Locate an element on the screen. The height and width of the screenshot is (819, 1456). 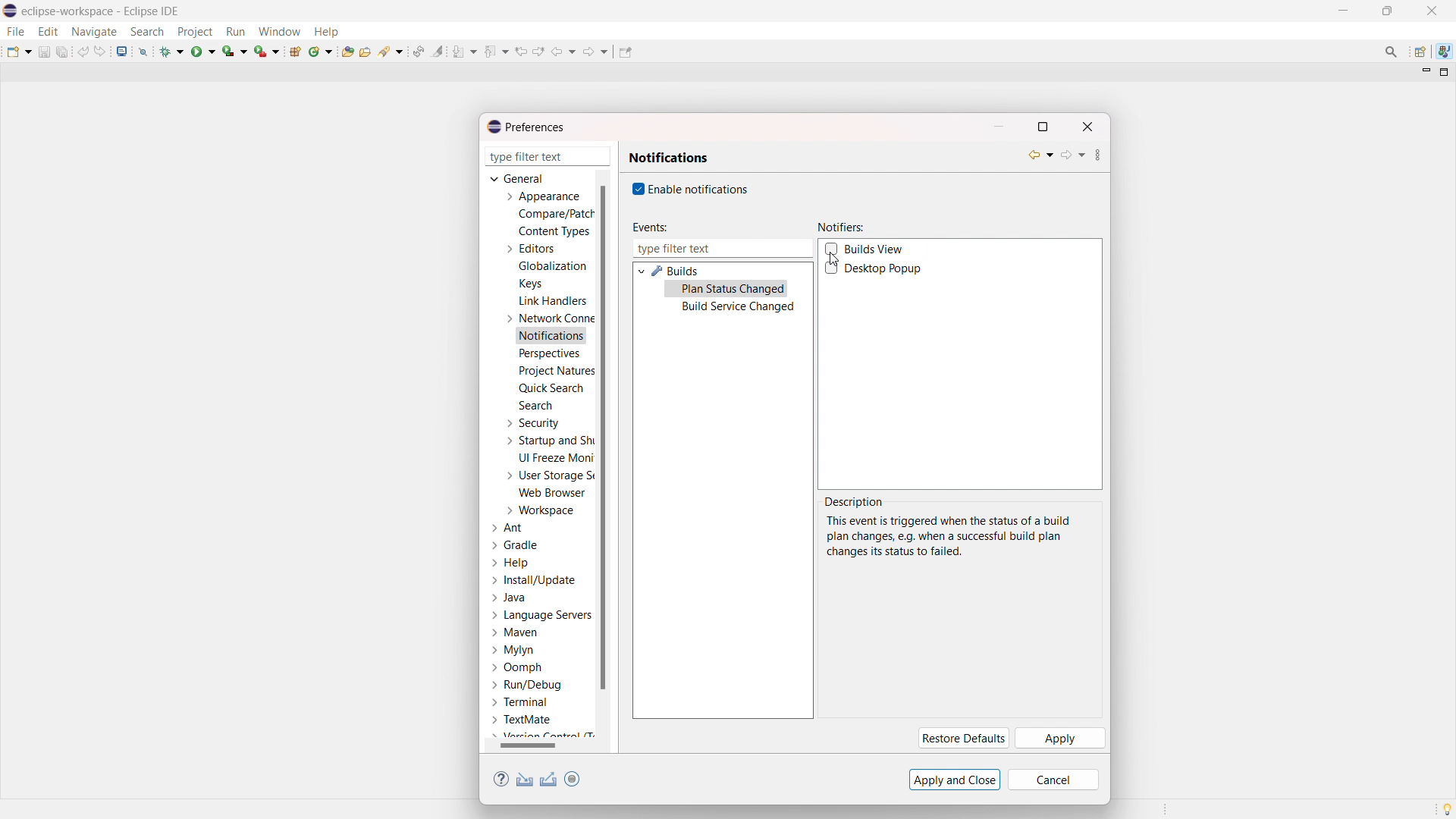
compare/patch is located at coordinates (553, 215).